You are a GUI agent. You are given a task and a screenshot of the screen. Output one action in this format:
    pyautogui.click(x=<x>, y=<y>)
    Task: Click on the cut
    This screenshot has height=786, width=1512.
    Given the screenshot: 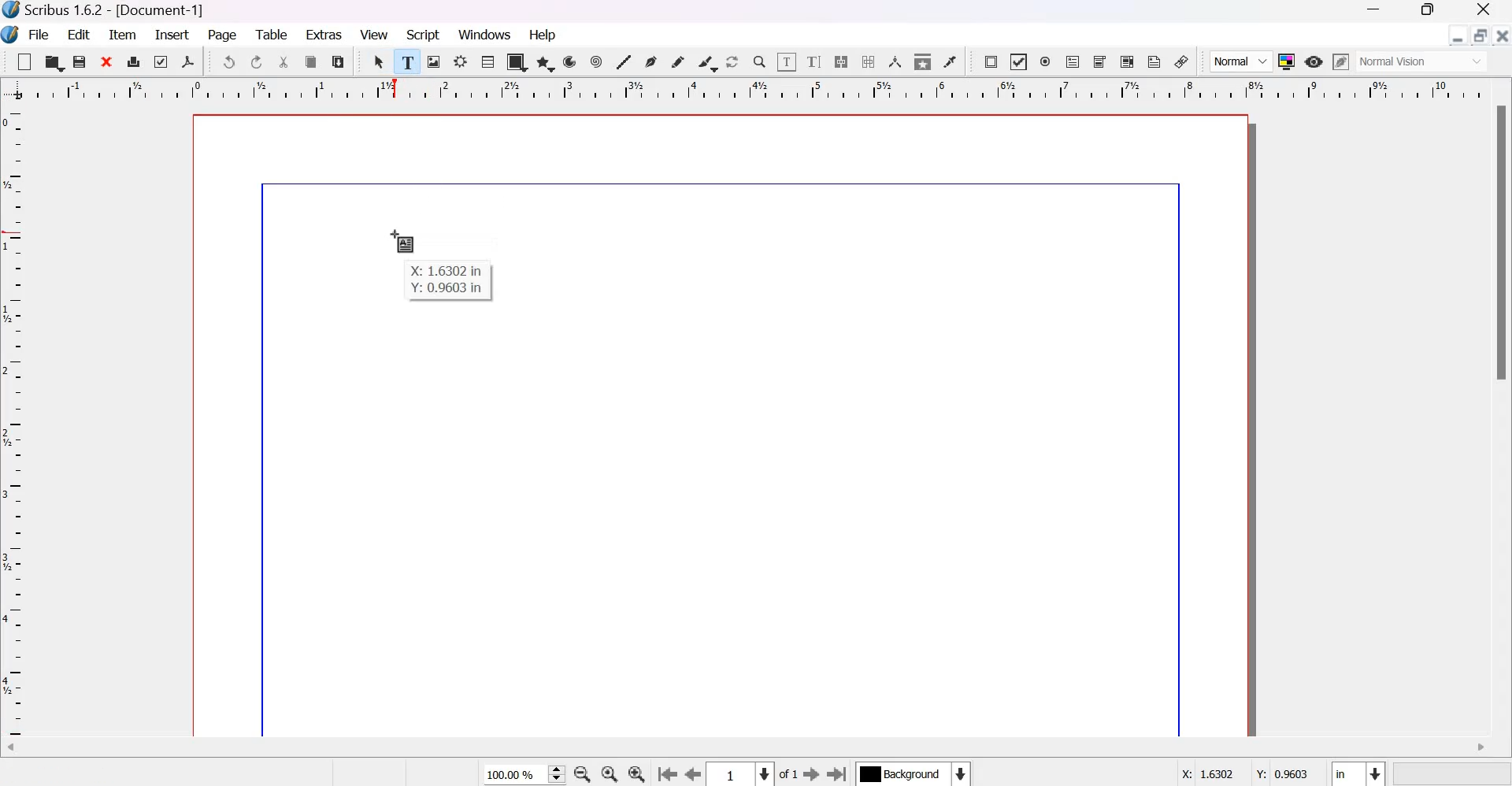 What is the action you would take?
    pyautogui.click(x=285, y=62)
    